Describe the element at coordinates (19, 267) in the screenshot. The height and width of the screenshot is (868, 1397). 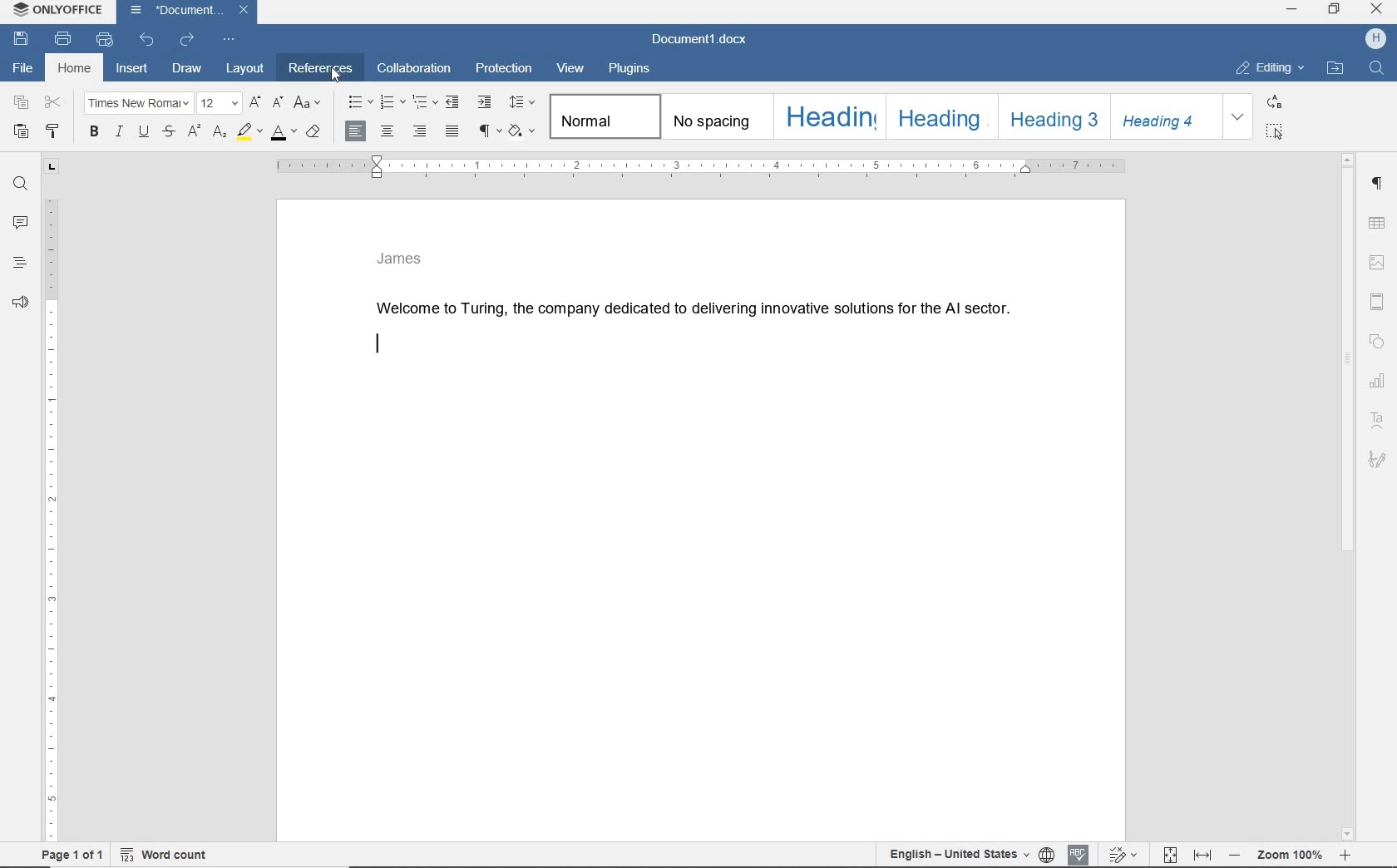
I see `headings` at that location.